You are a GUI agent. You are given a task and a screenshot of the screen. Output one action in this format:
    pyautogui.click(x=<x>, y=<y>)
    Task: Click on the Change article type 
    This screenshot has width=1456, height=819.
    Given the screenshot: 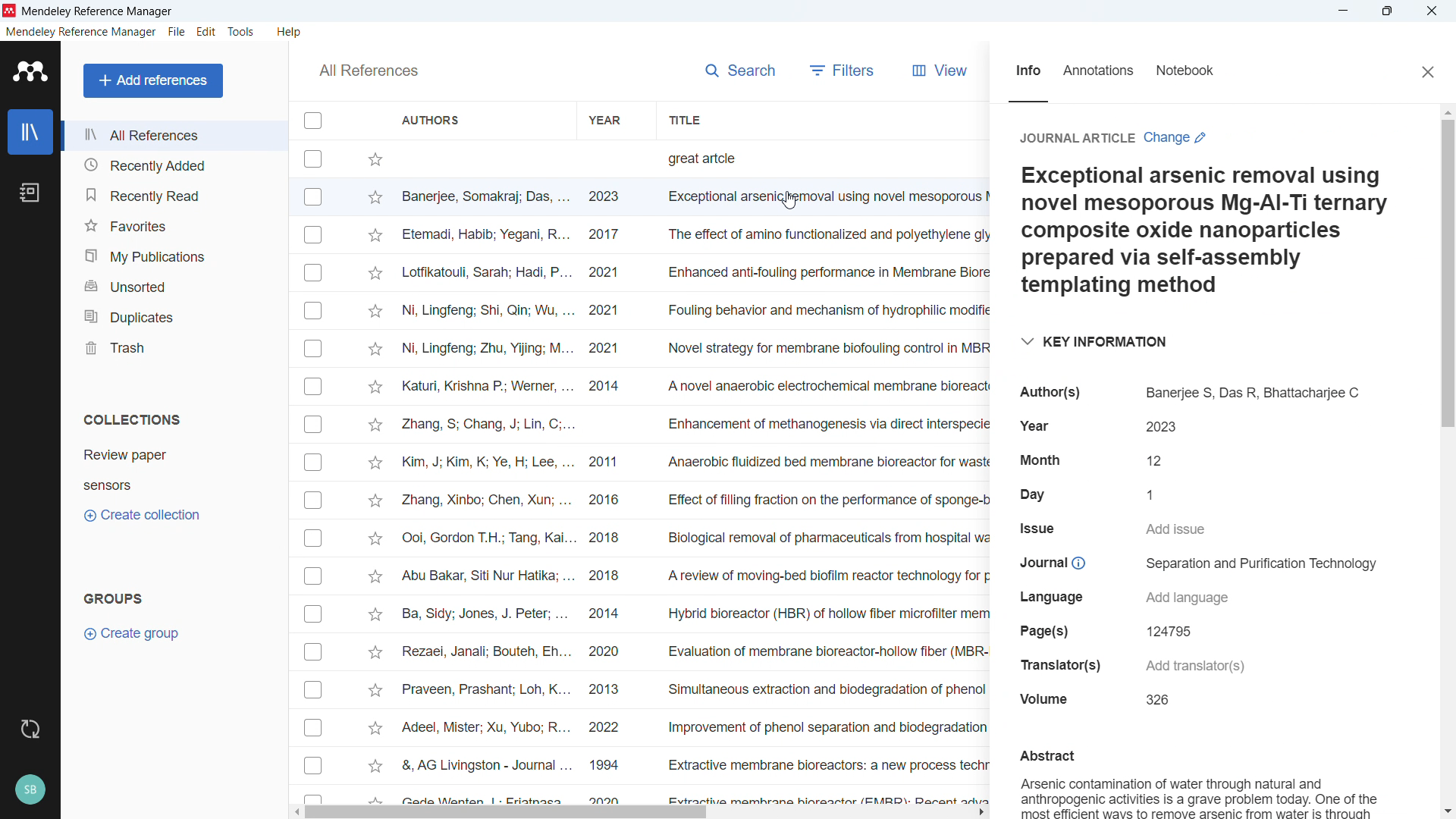 What is the action you would take?
    pyautogui.click(x=1176, y=137)
    